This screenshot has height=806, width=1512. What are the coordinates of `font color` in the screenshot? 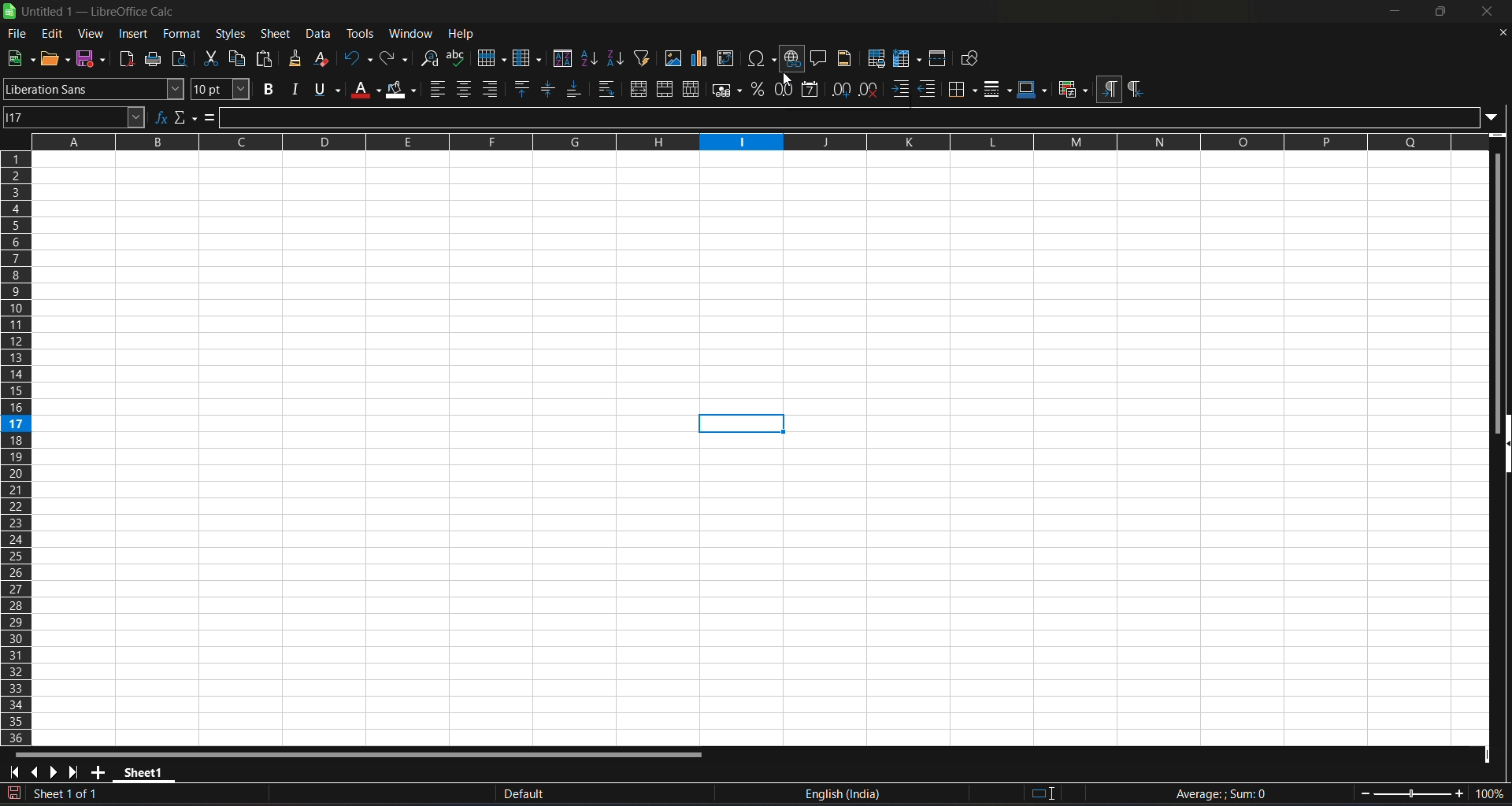 It's located at (365, 89).